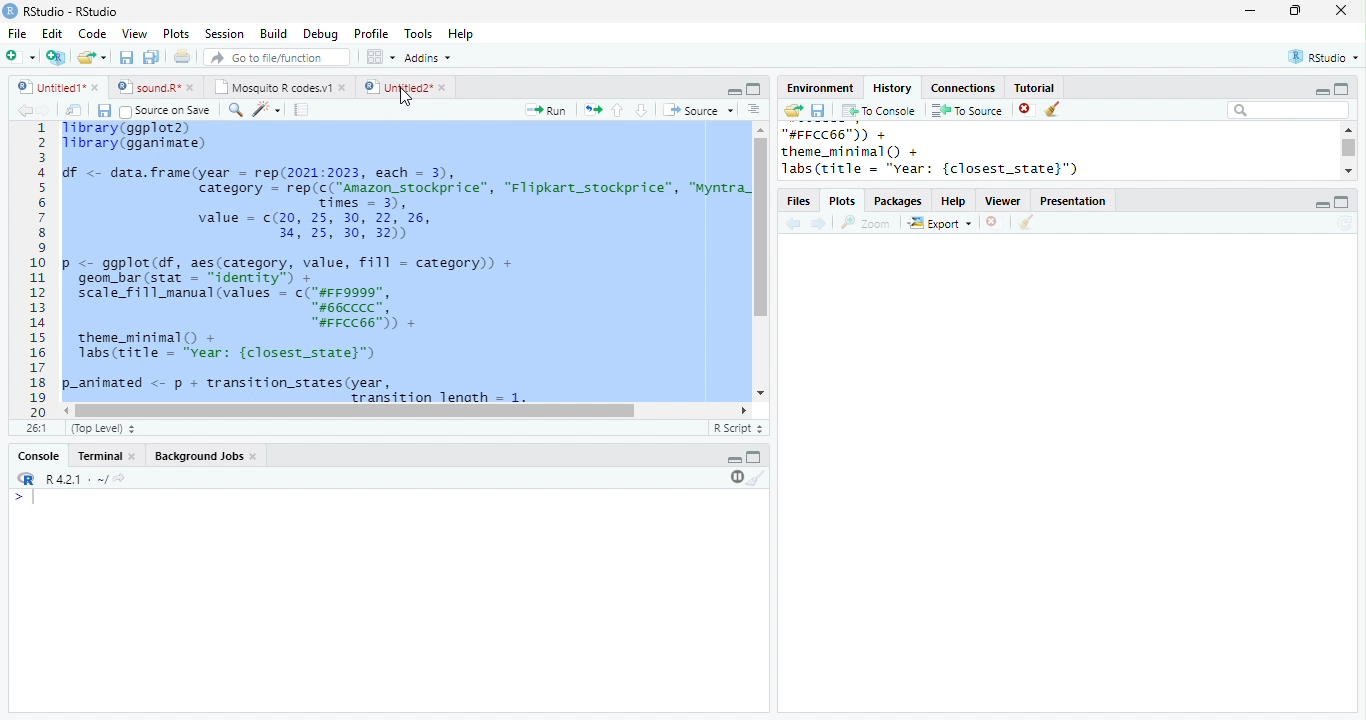  What do you see at coordinates (761, 393) in the screenshot?
I see `scroll down` at bounding box center [761, 393].